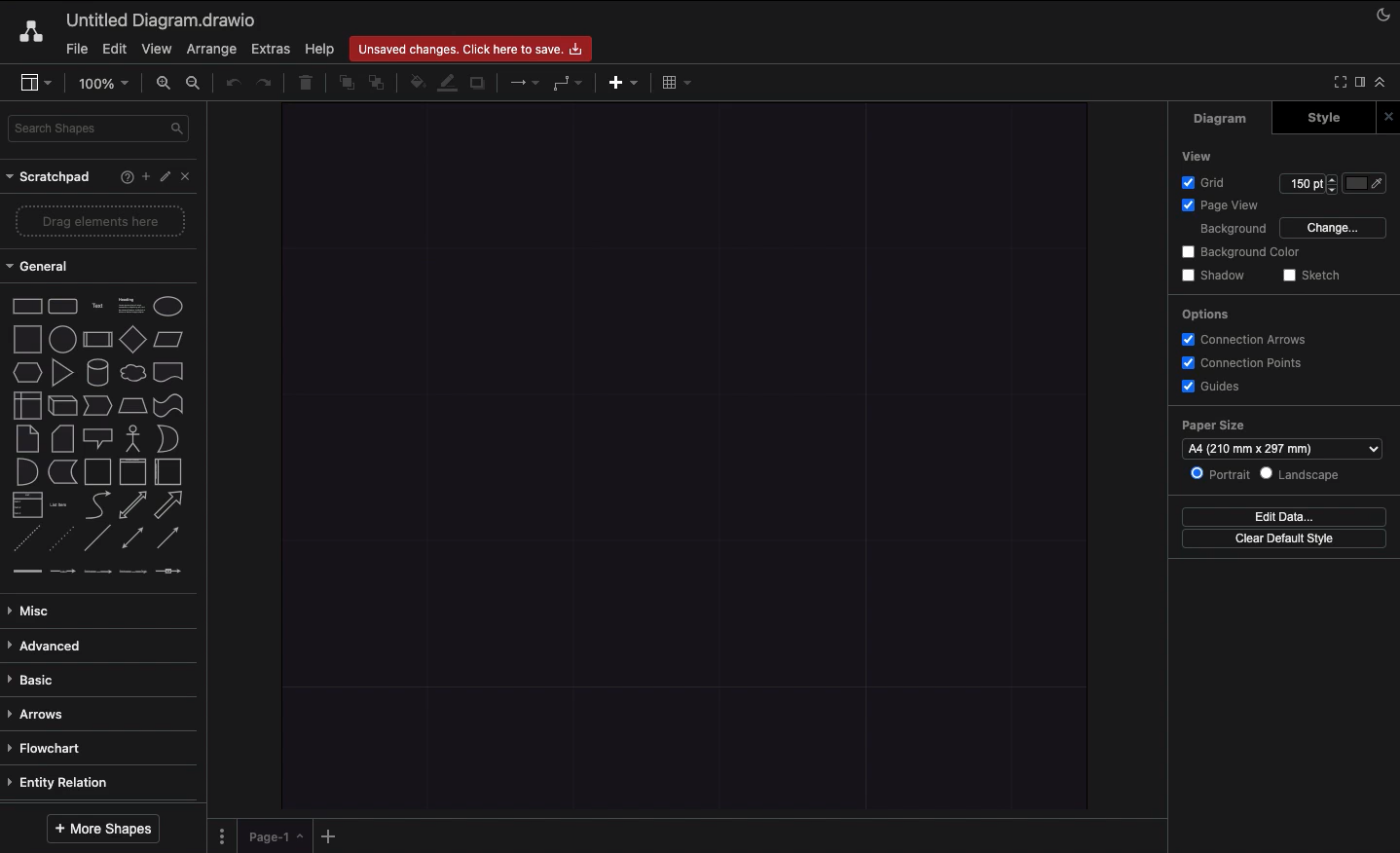 This screenshot has width=1400, height=853. What do you see at coordinates (447, 82) in the screenshot?
I see `Line color` at bounding box center [447, 82].